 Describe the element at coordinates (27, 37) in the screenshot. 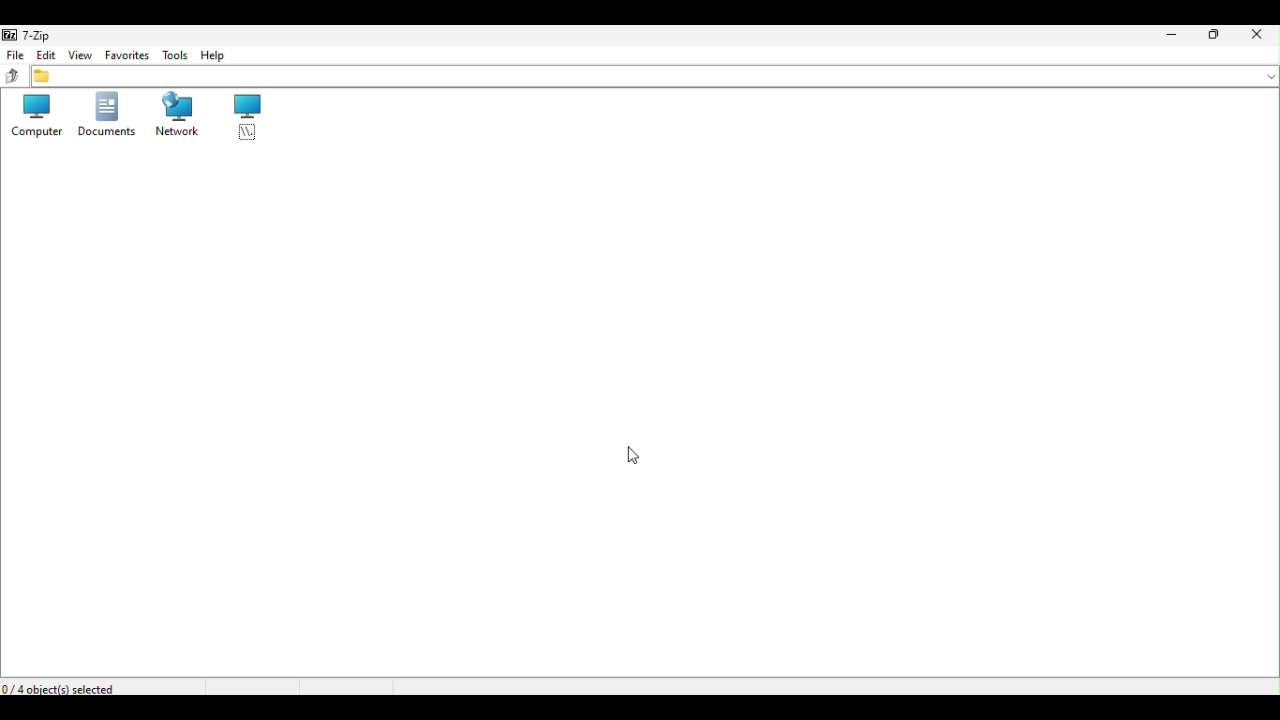

I see `7 zip` at that location.